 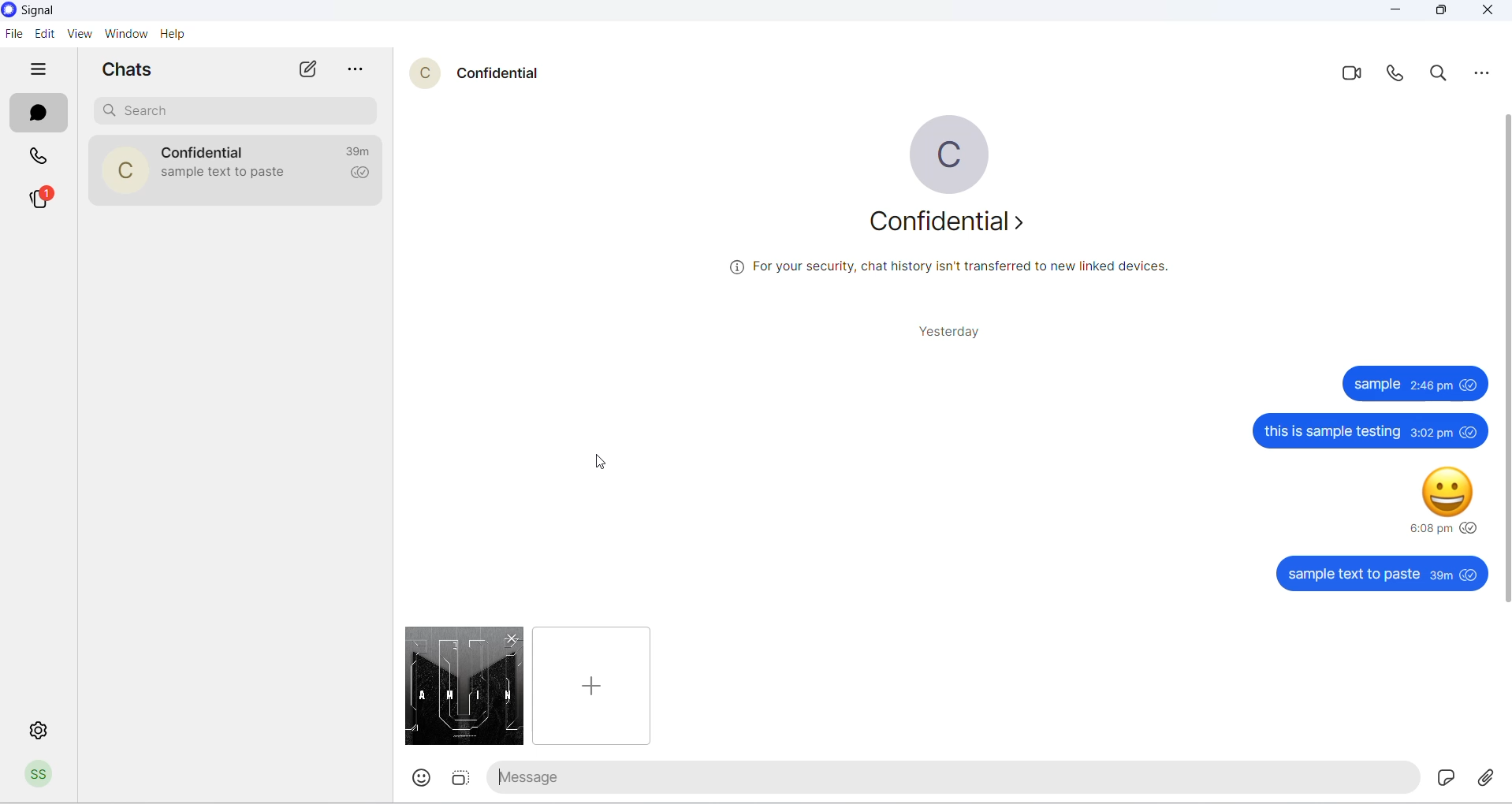 What do you see at coordinates (42, 33) in the screenshot?
I see `edit` at bounding box center [42, 33].